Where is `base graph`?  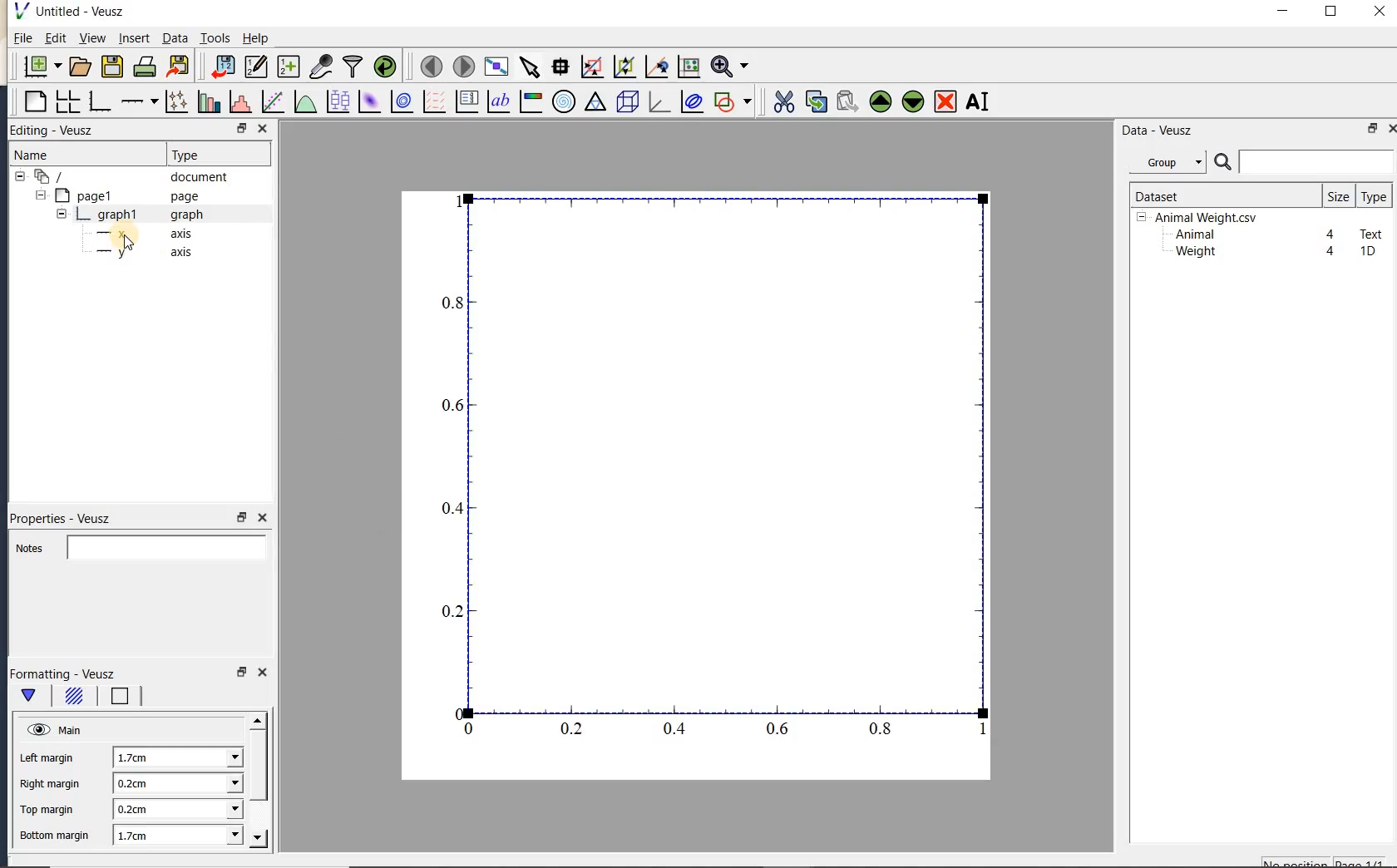 base graph is located at coordinates (98, 101).